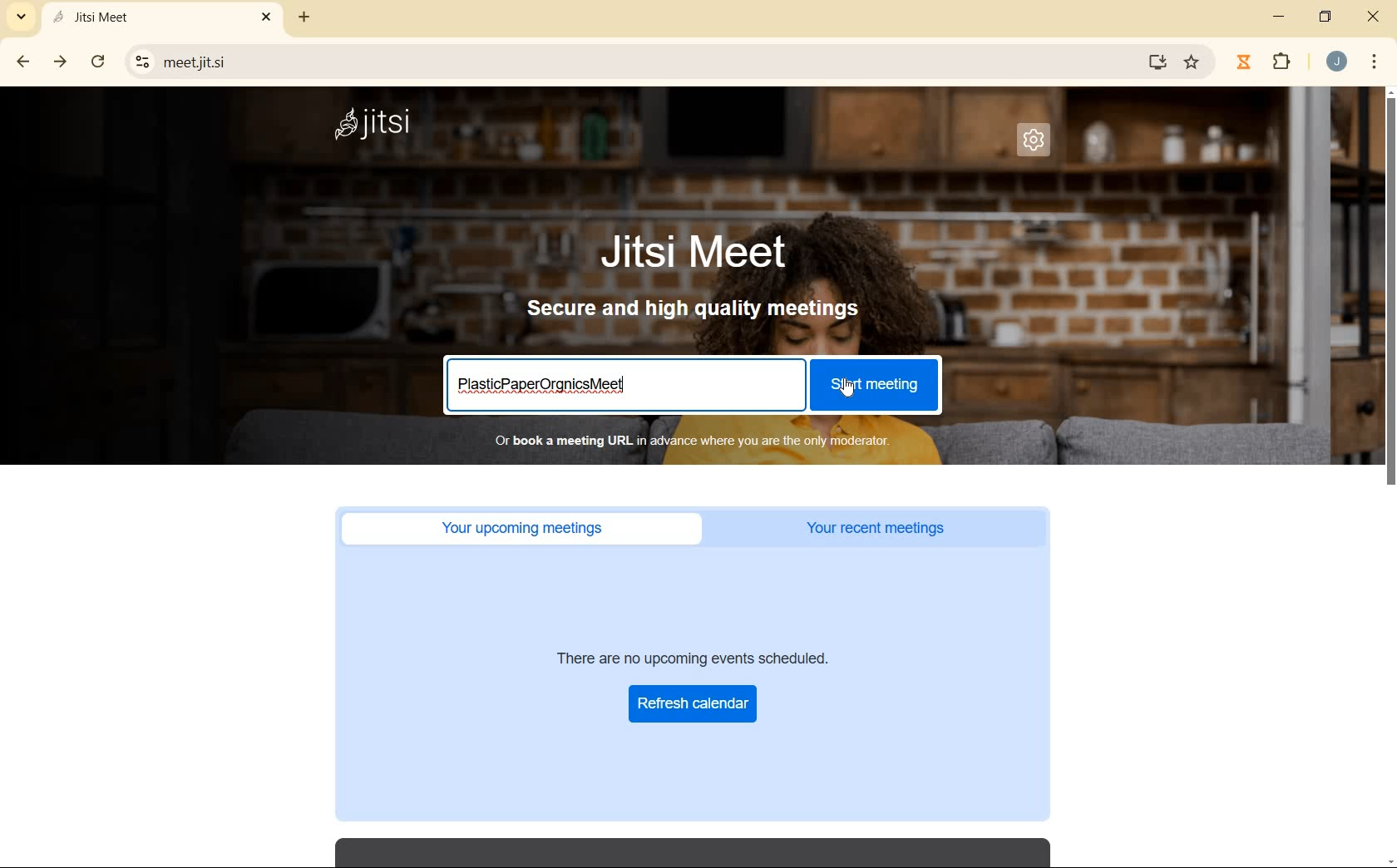 The width and height of the screenshot is (1397, 868). Describe the element at coordinates (1282, 63) in the screenshot. I see `extensions` at that location.